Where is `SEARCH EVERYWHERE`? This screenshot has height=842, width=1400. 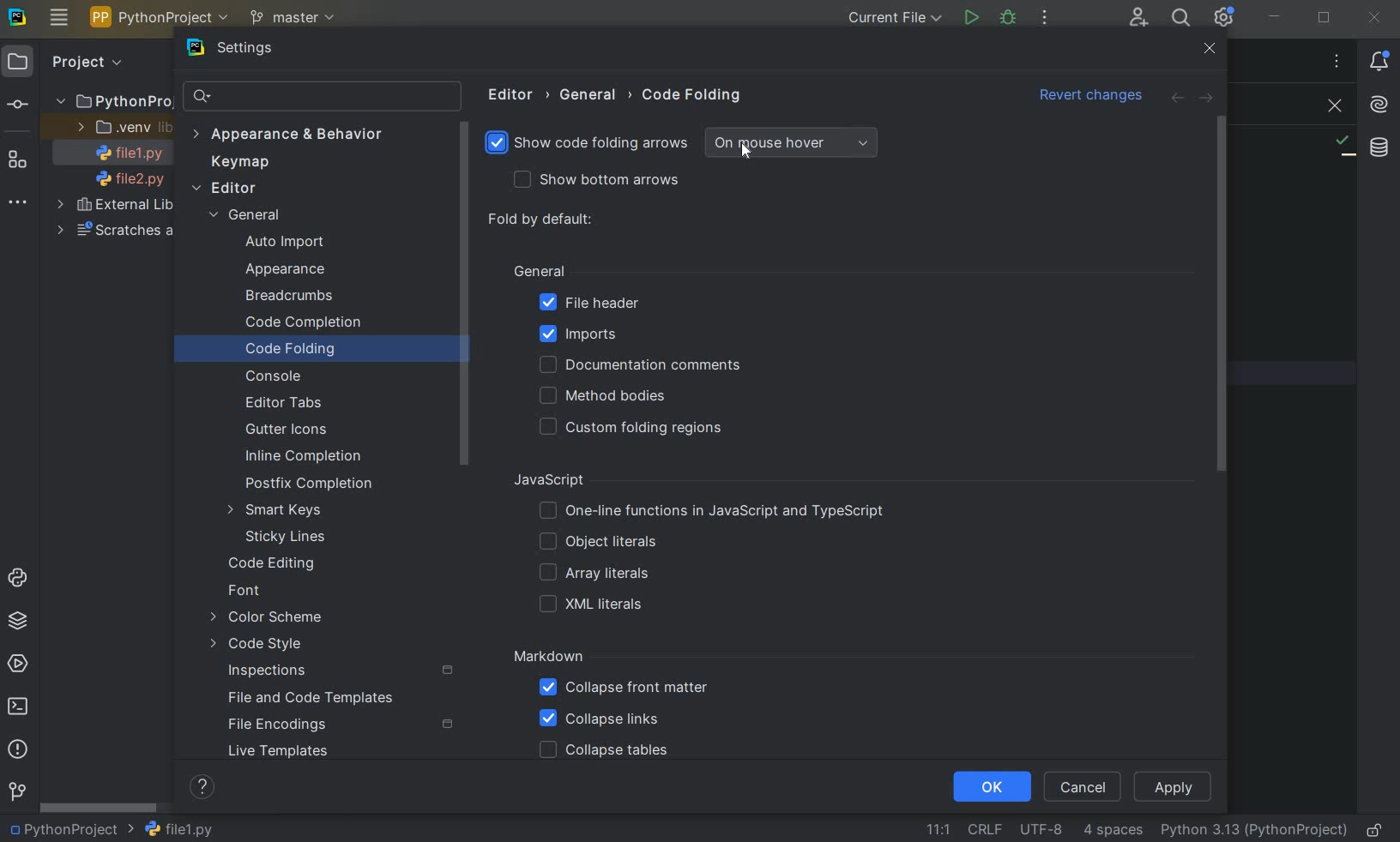
SEARCH EVERYWHERE is located at coordinates (1180, 18).